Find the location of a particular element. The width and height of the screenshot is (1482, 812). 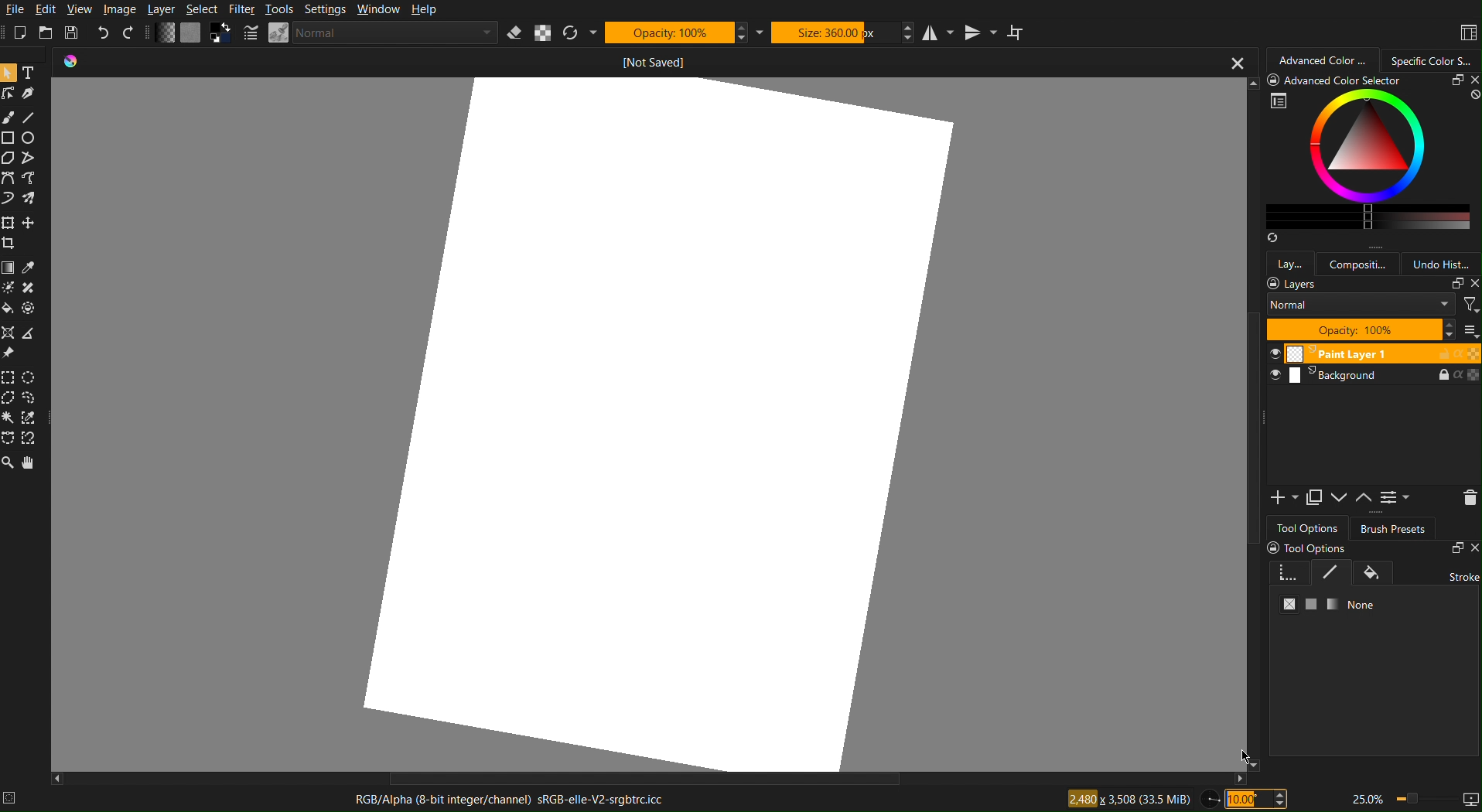

cursor is located at coordinates (1245, 753).